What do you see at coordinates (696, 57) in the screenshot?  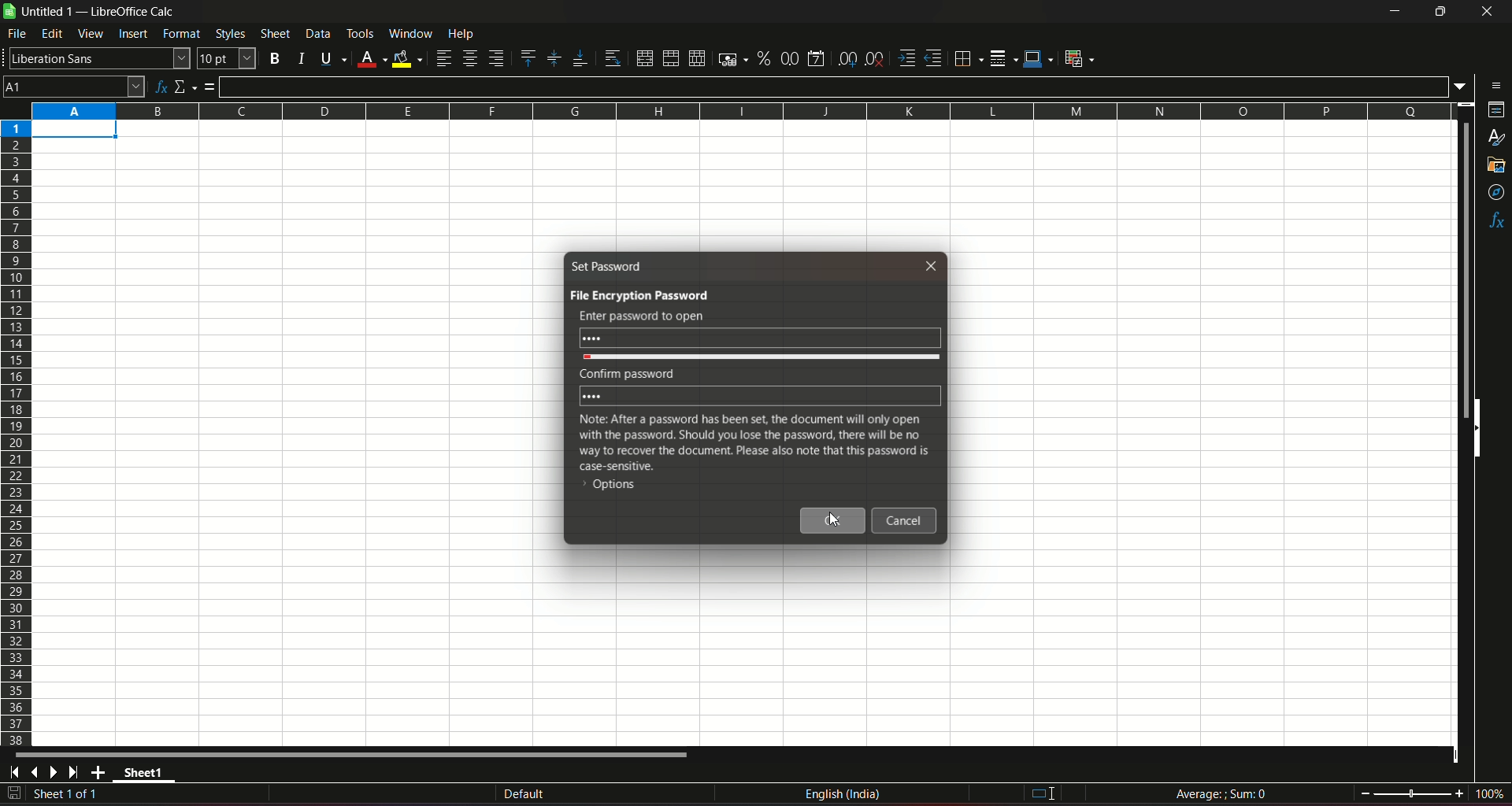 I see `unmerge cells` at bounding box center [696, 57].